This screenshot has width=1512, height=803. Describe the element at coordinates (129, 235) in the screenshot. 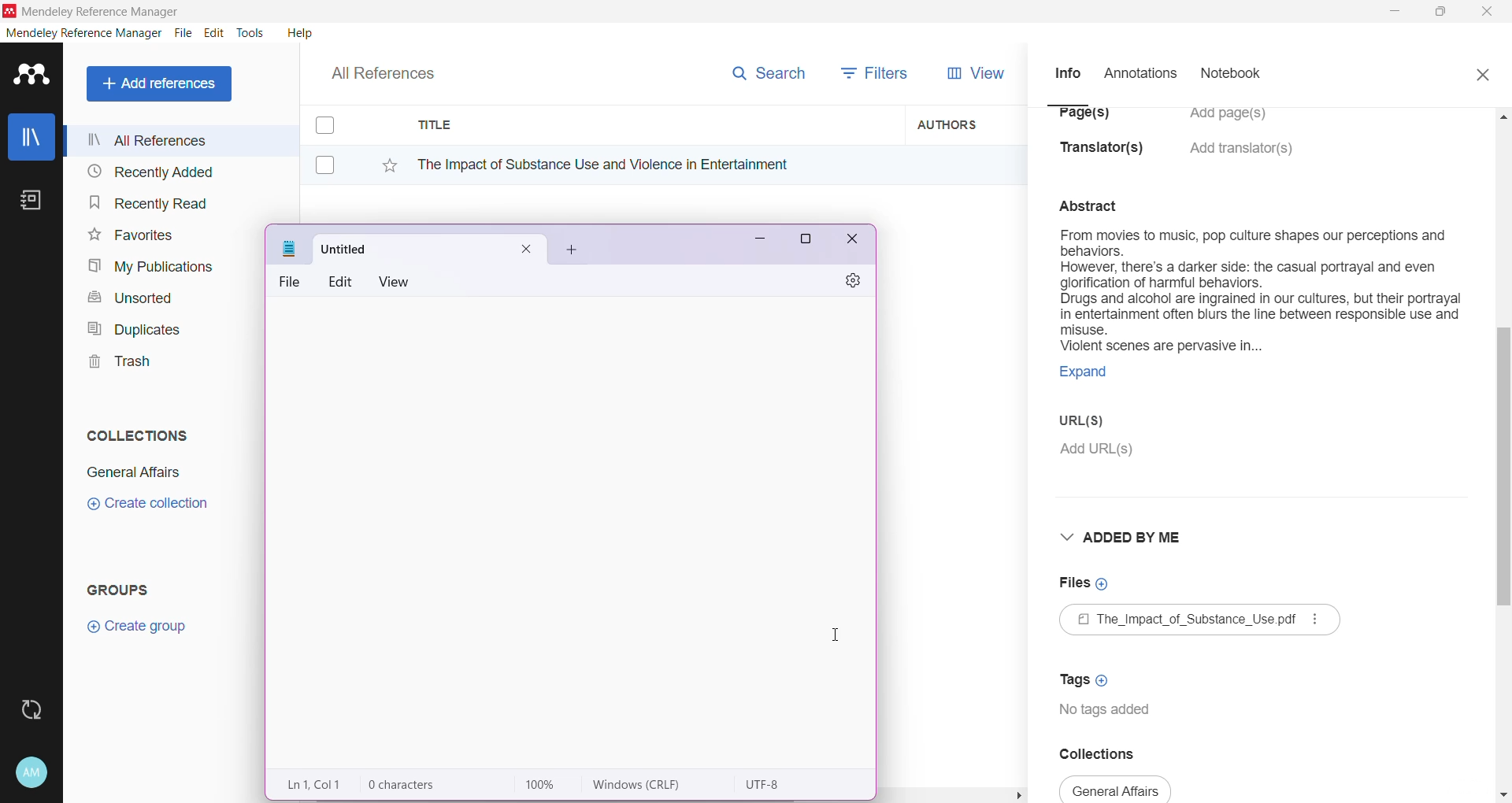

I see `Favorites` at that location.